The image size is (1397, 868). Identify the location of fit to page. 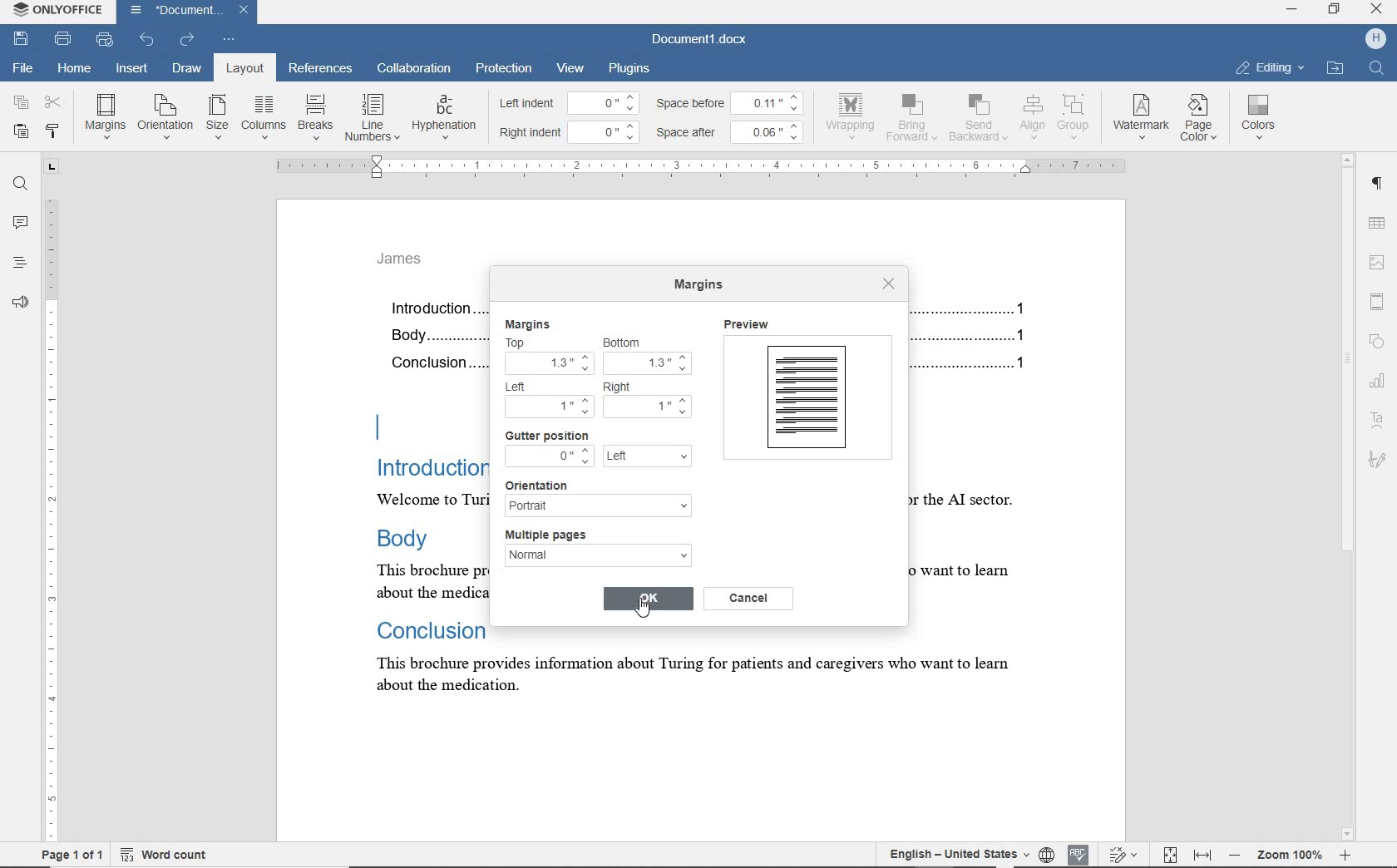
(1169, 853).